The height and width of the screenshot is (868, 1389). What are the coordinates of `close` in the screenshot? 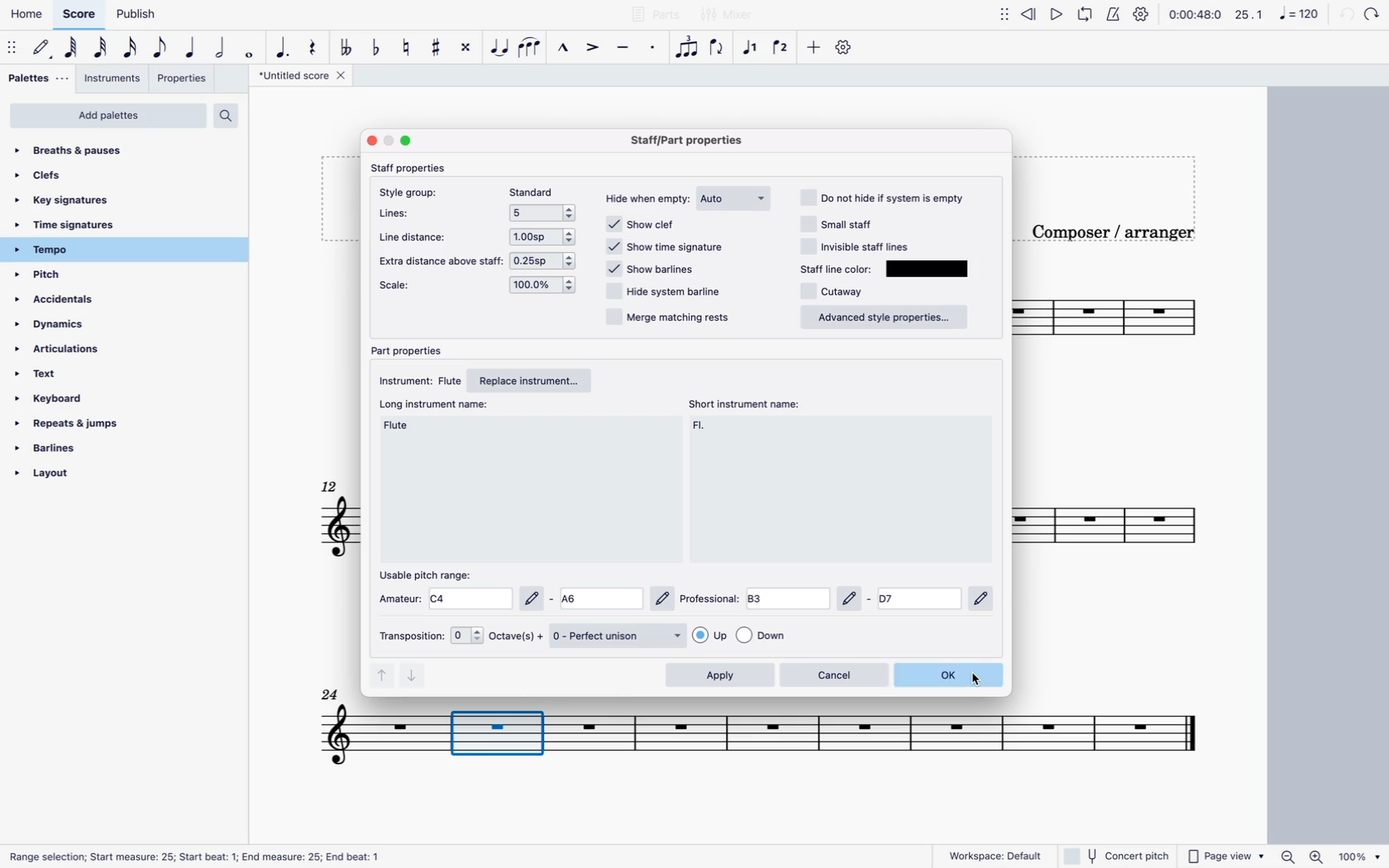 It's located at (372, 141).